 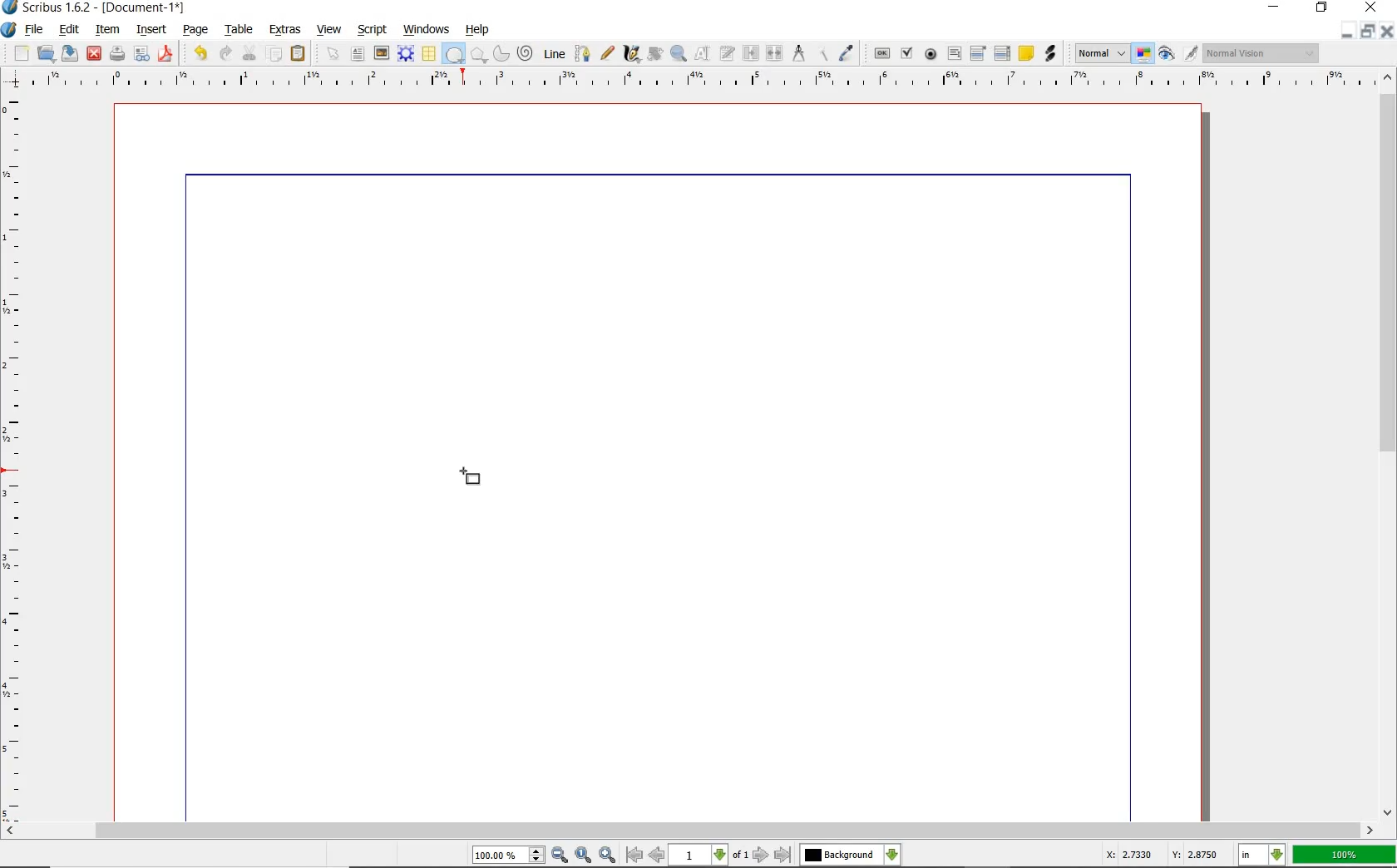 What do you see at coordinates (478, 55) in the screenshot?
I see `POLYGON` at bounding box center [478, 55].